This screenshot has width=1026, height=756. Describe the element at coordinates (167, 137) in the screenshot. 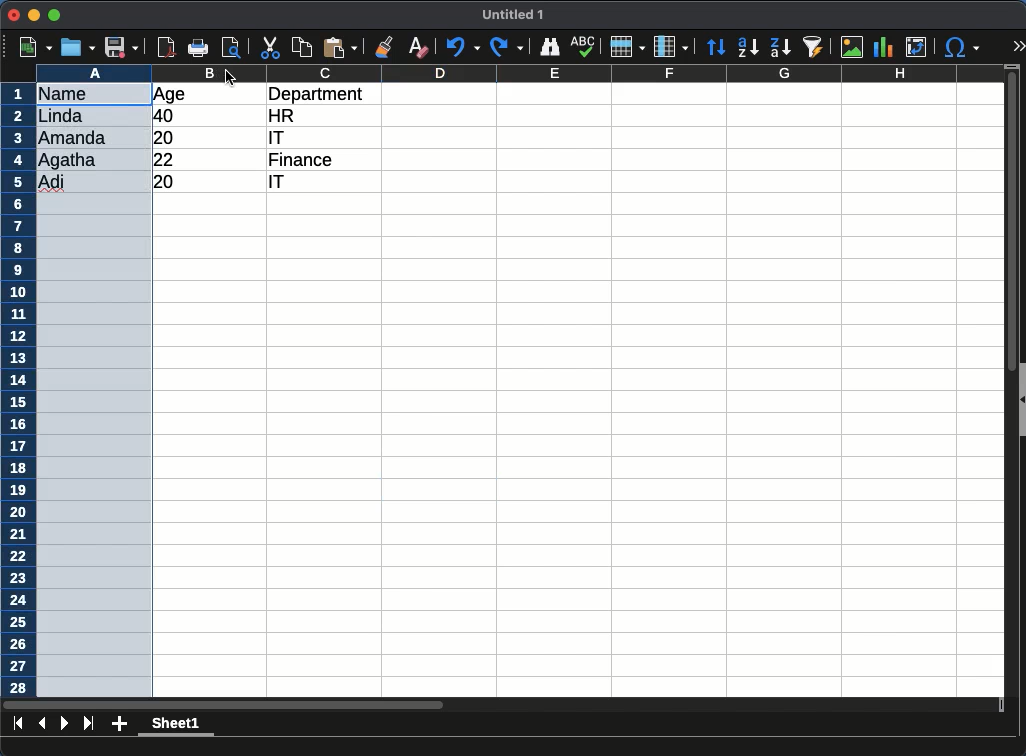

I see `20` at that location.